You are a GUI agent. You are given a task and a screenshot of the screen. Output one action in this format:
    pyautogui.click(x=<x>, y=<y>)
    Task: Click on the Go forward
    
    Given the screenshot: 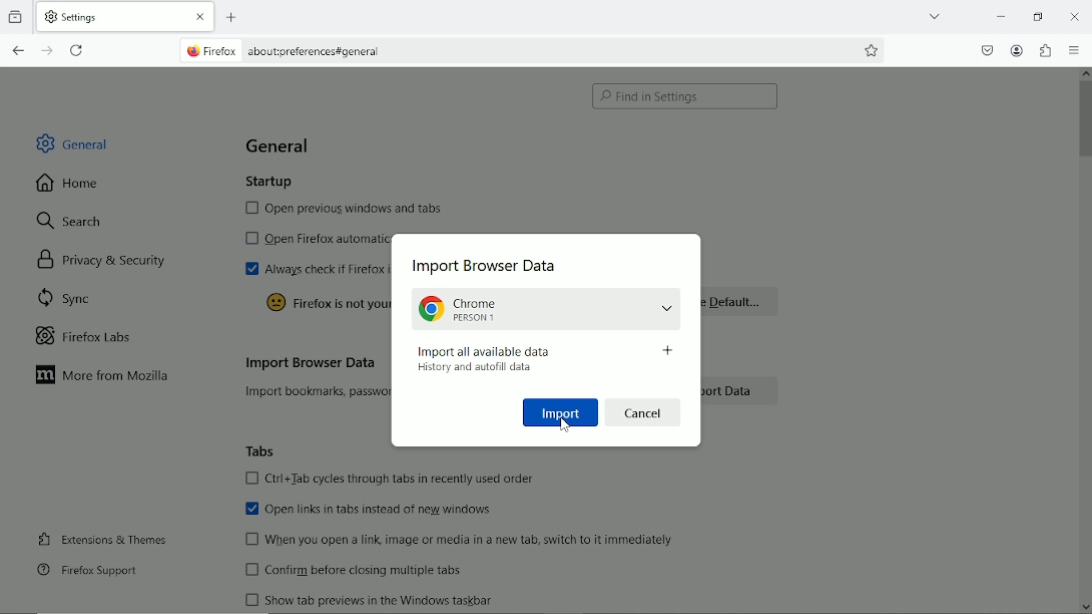 What is the action you would take?
    pyautogui.click(x=45, y=51)
    